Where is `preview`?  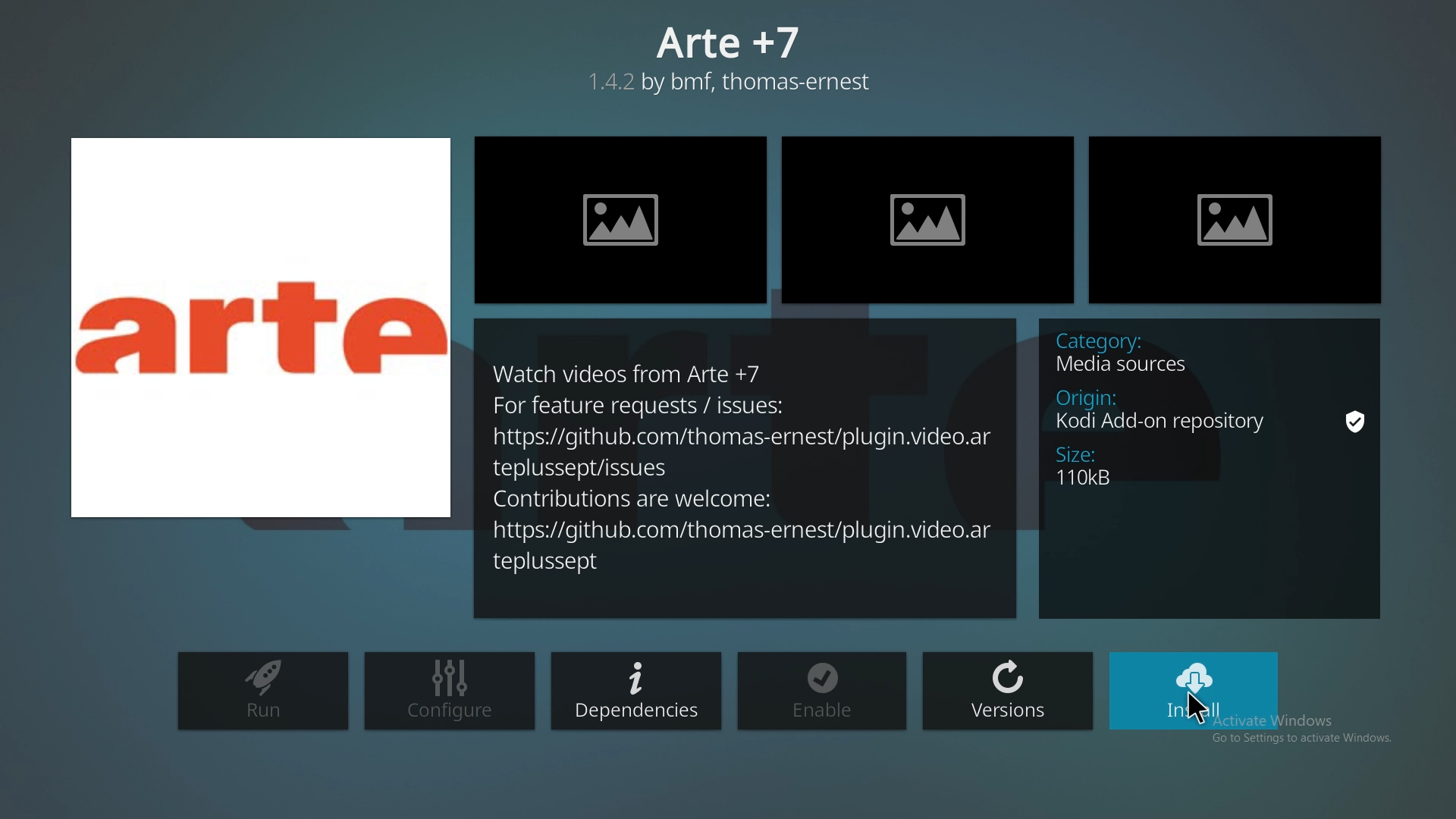 preview is located at coordinates (620, 218).